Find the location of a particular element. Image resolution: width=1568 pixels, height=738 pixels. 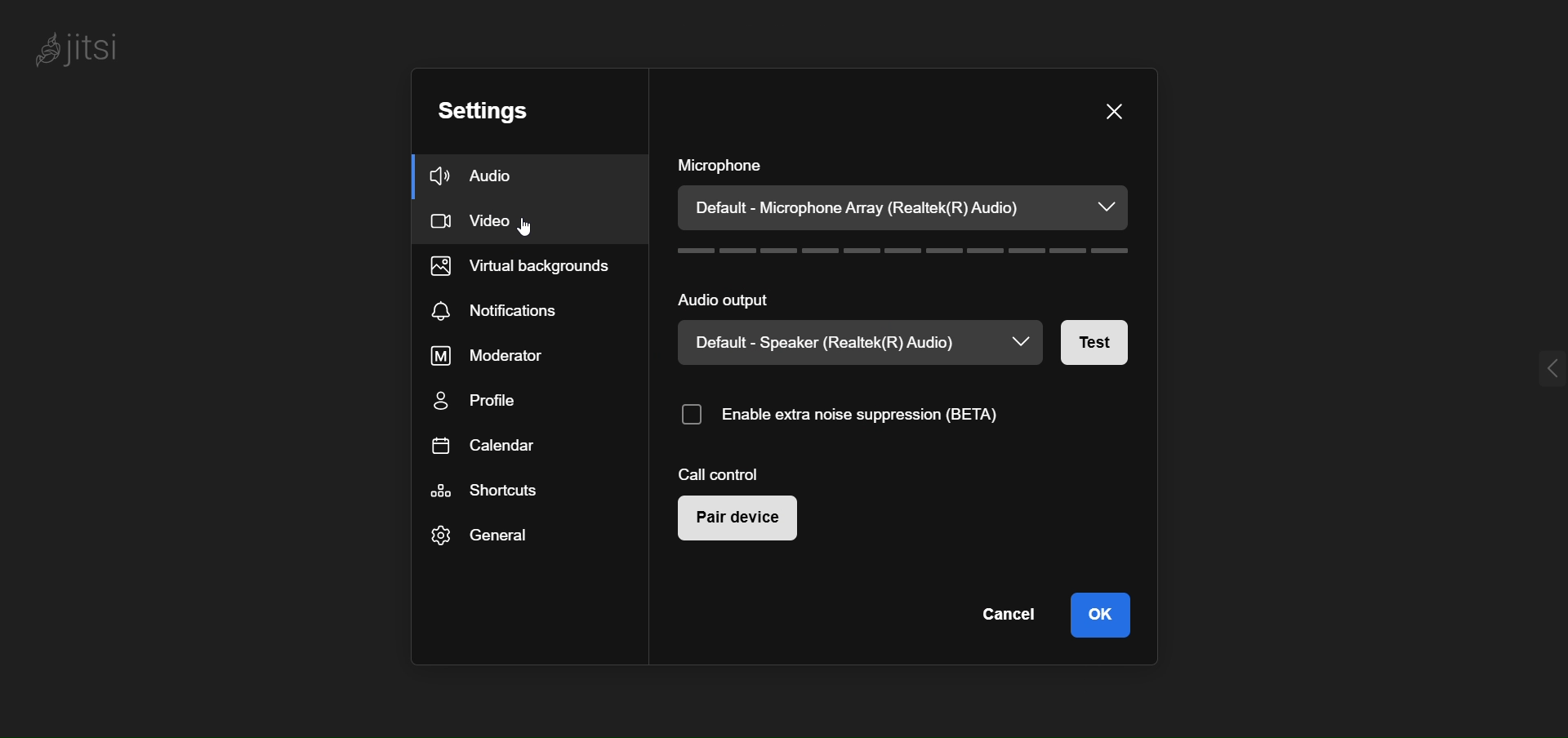

enable noise suppression is located at coordinates (841, 415).